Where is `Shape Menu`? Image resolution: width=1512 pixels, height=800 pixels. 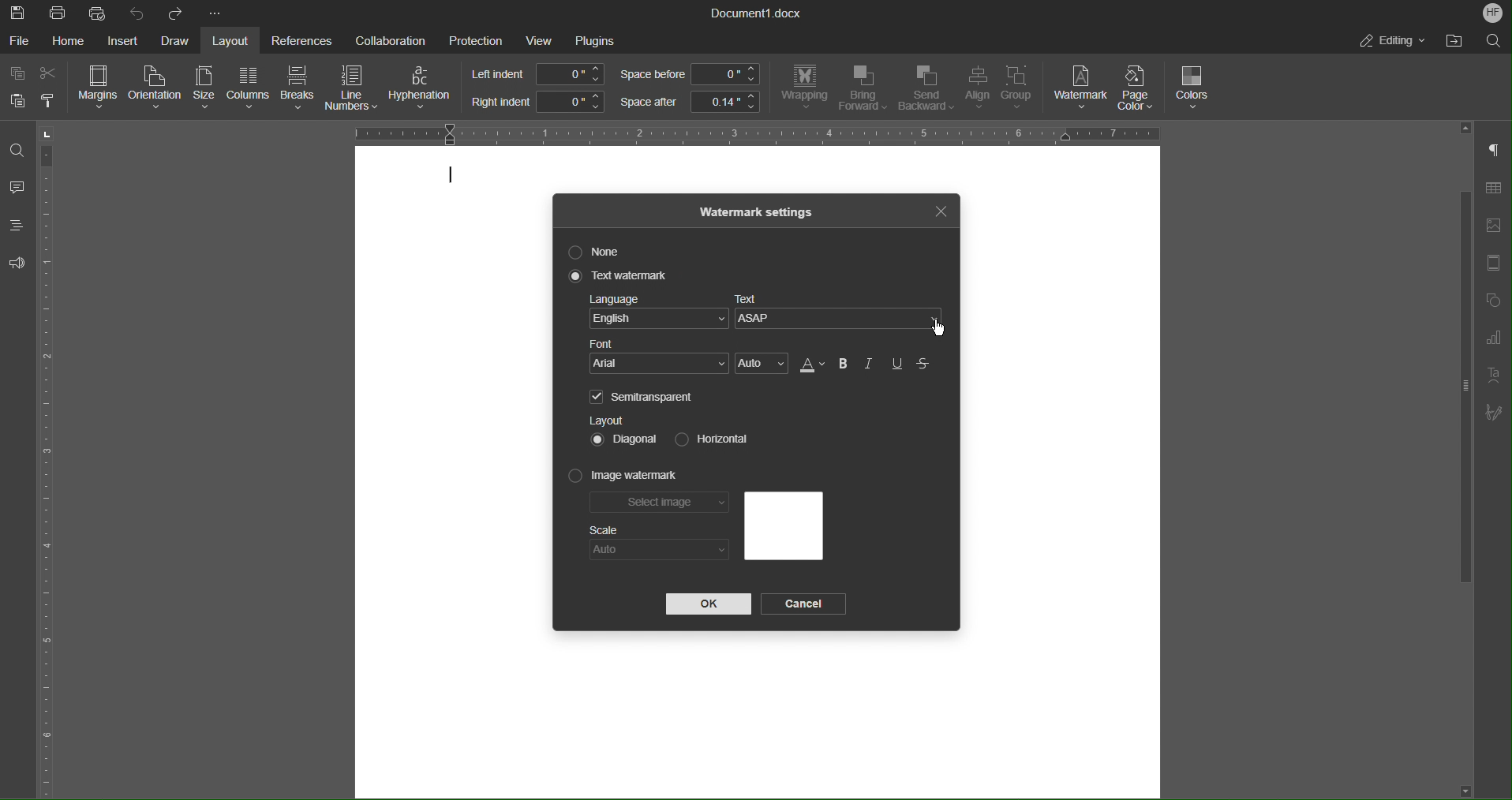 Shape Menu is located at coordinates (1491, 302).